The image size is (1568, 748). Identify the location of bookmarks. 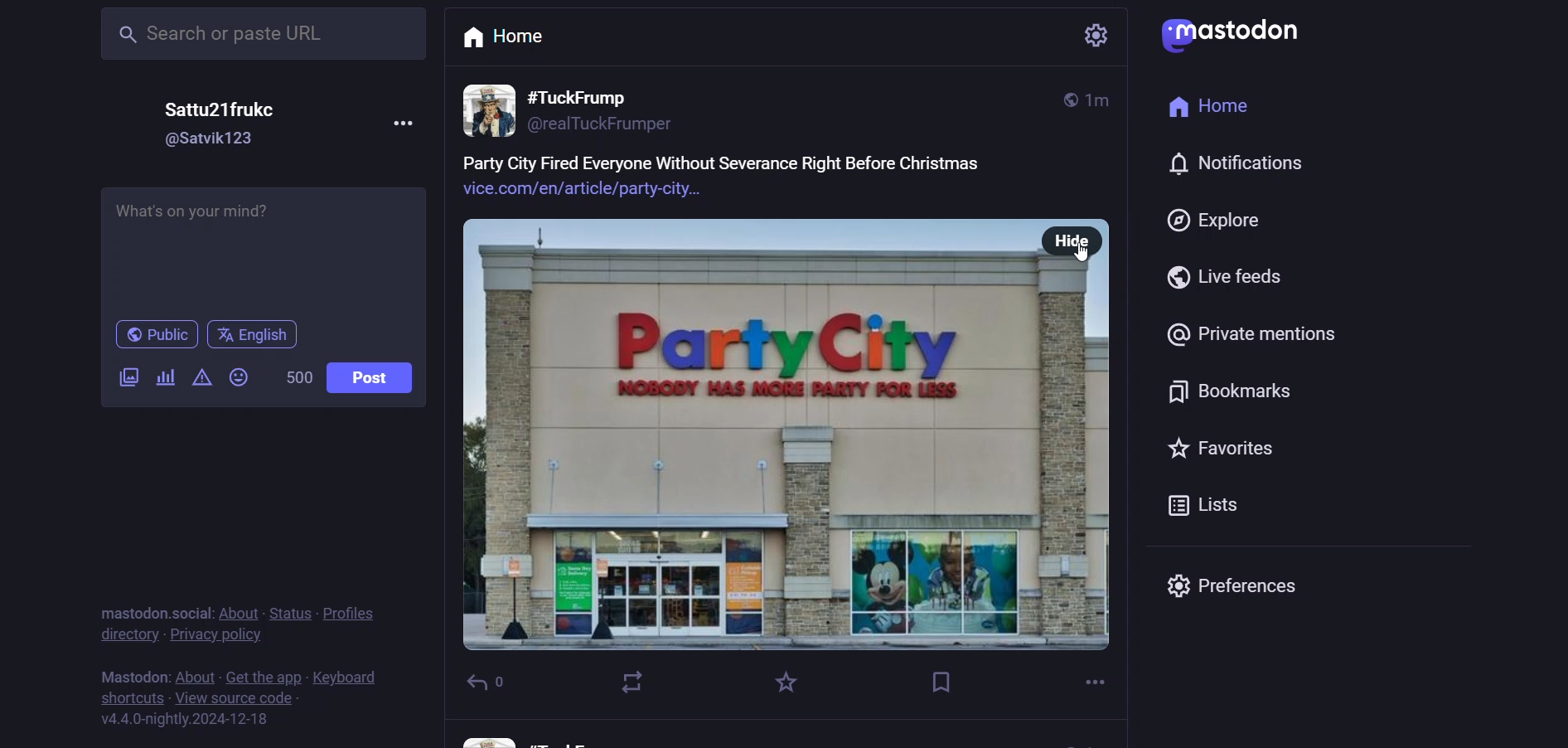
(941, 682).